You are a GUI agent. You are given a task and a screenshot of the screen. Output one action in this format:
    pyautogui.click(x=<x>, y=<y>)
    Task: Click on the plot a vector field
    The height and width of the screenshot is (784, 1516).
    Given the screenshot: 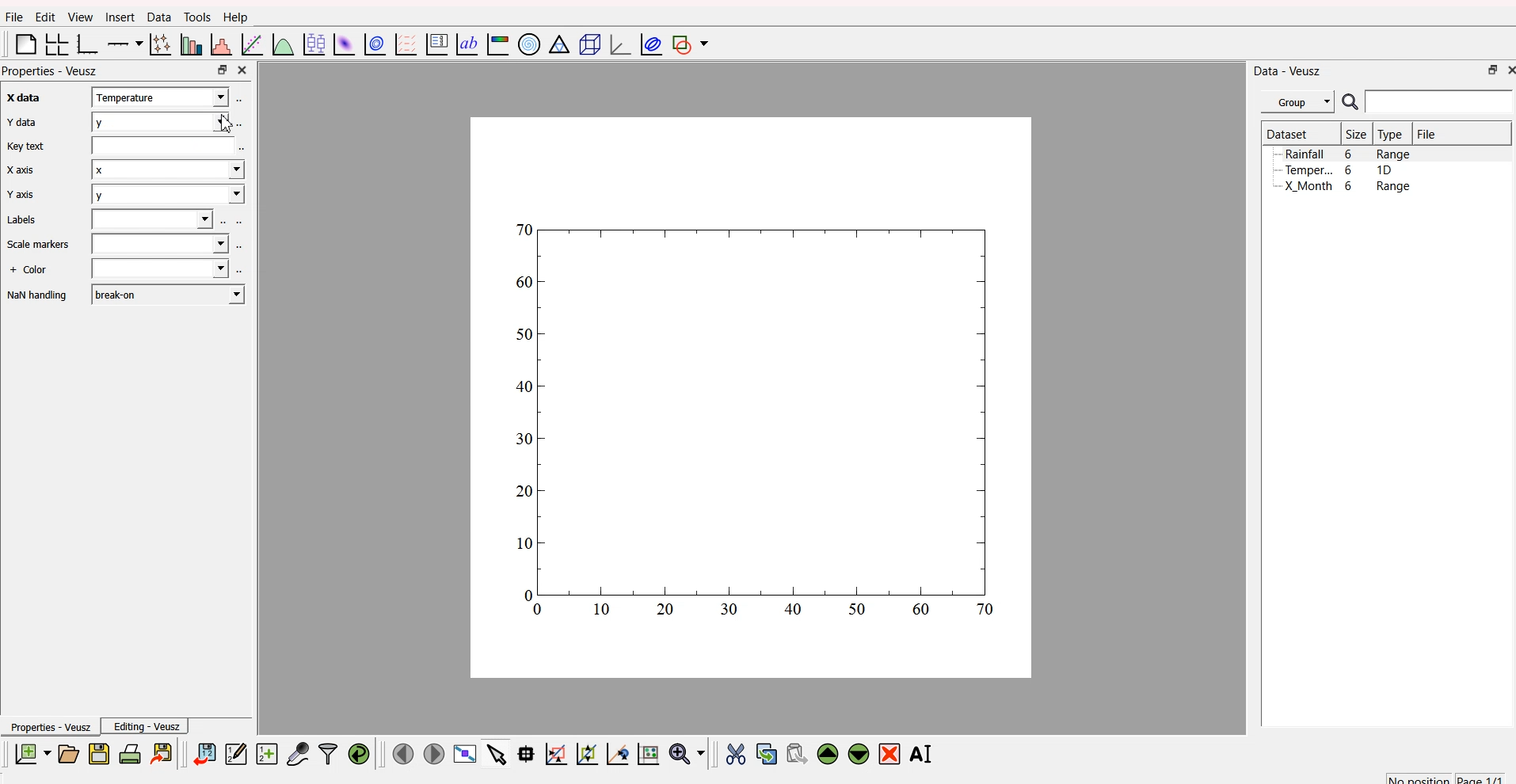 What is the action you would take?
    pyautogui.click(x=404, y=45)
    